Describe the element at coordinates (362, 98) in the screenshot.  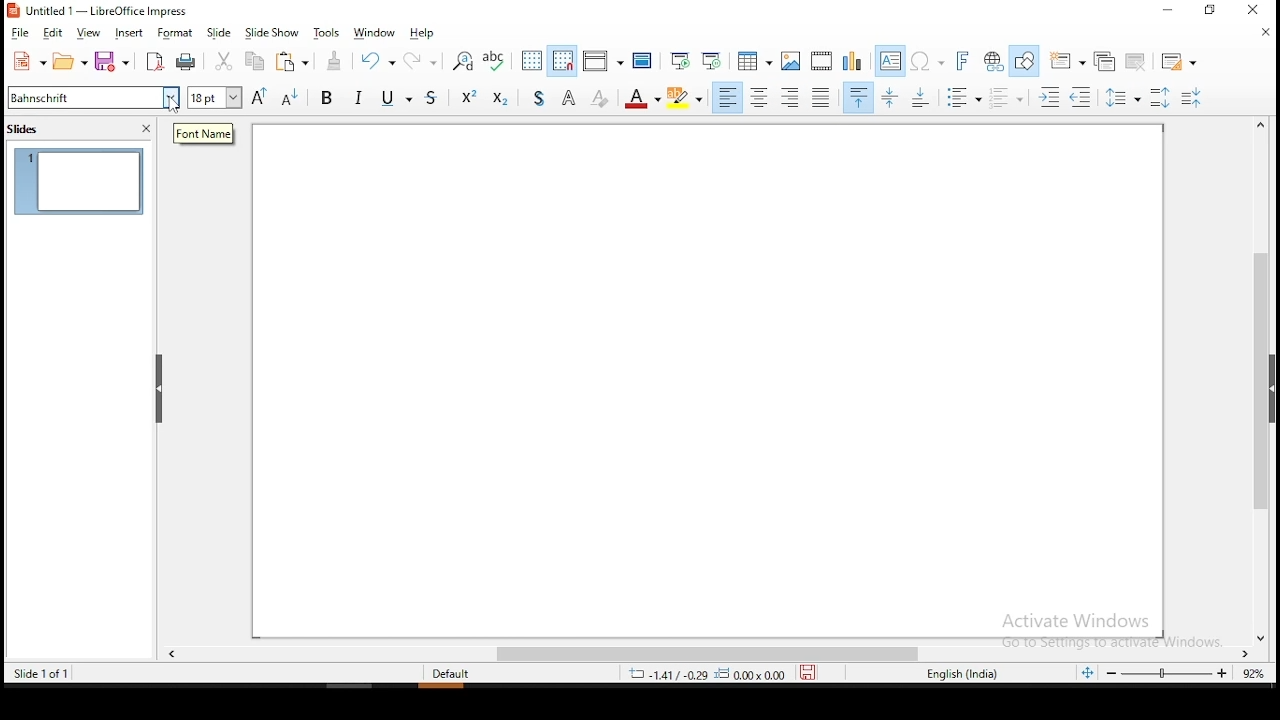
I see `italics` at that location.